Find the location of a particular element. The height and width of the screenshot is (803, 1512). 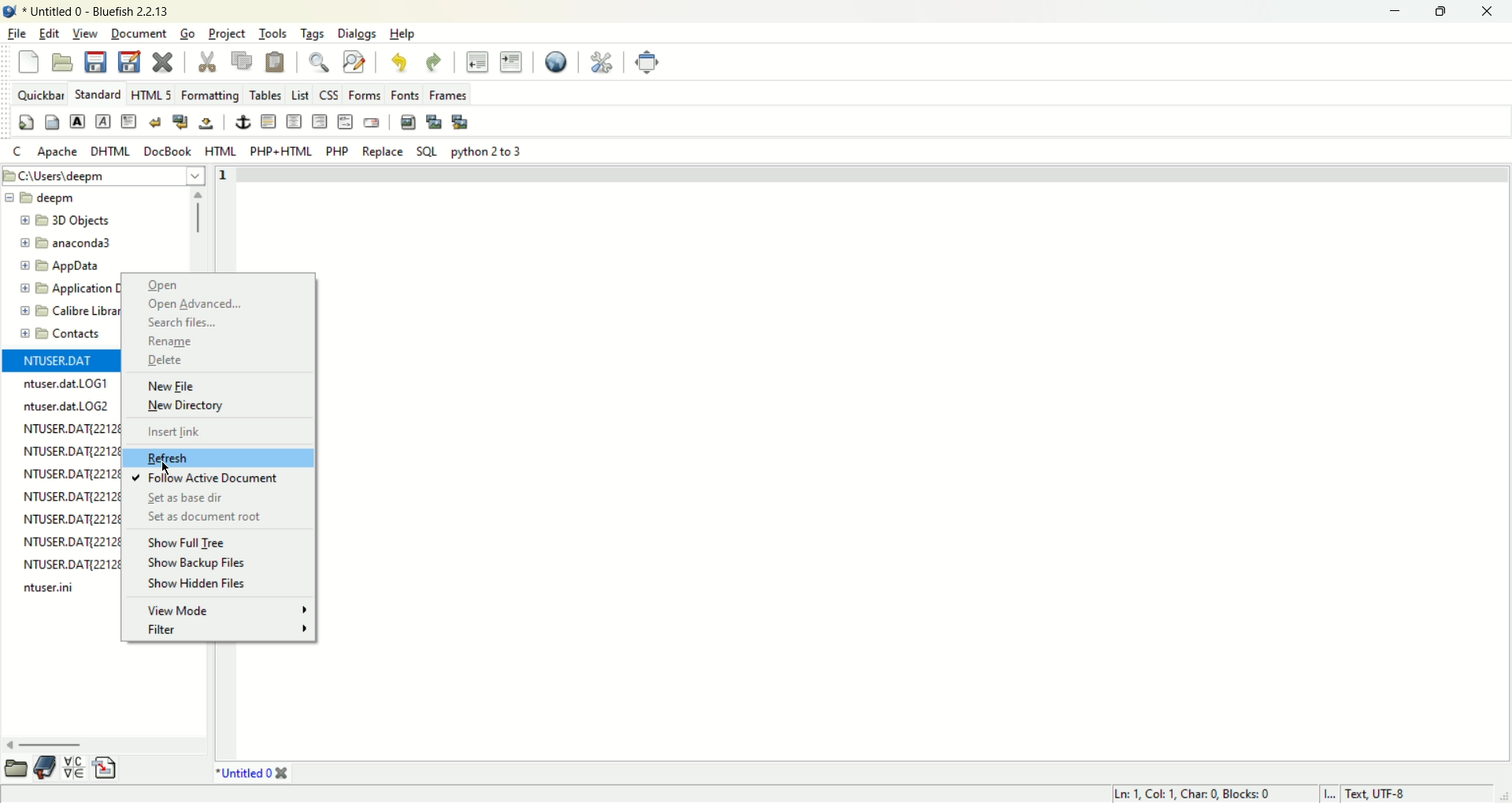

cursor is located at coordinates (169, 466).